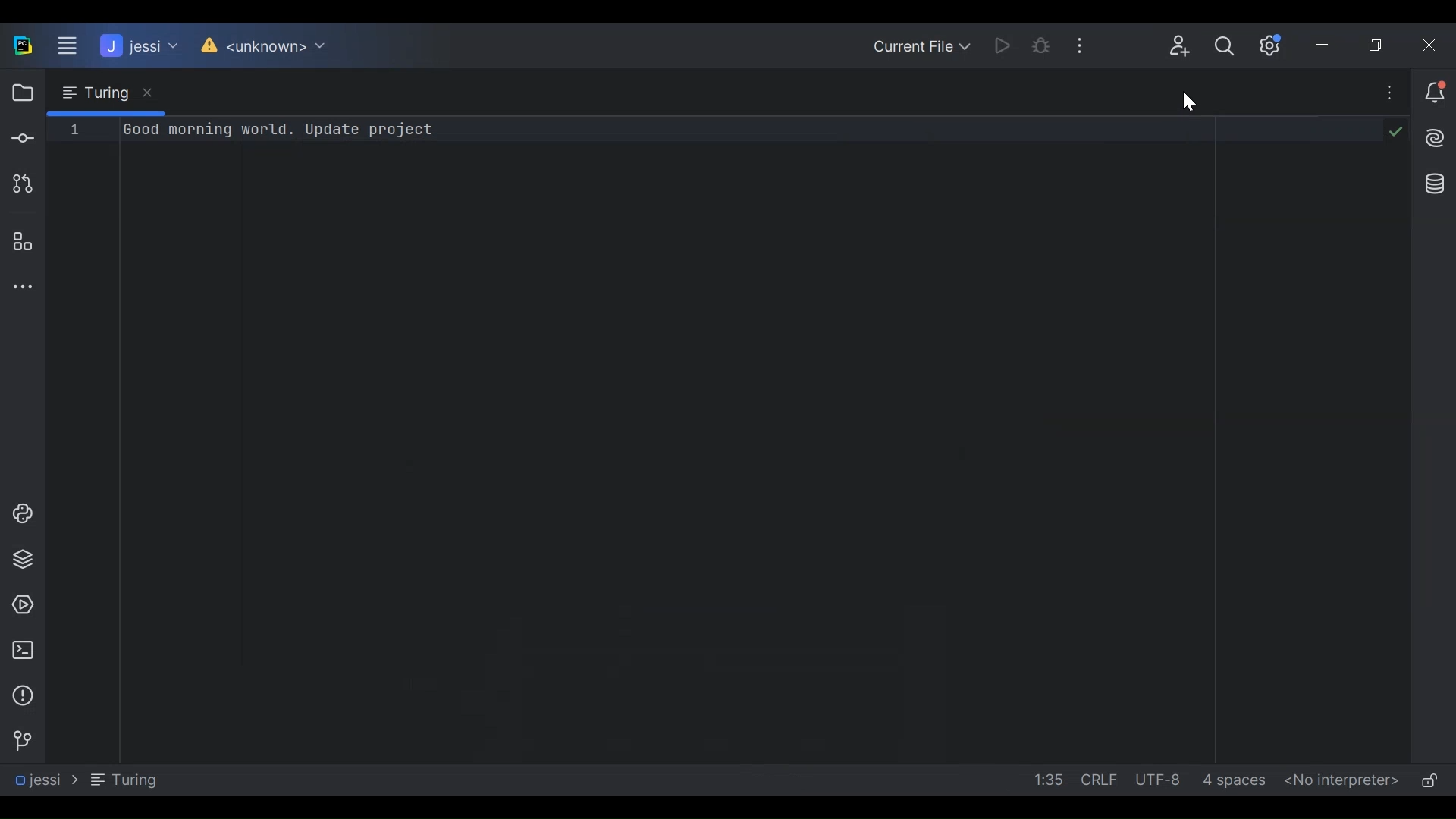  Describe the element at coordinates (1383, 48) in the screenshot. I see `Restore` at that location.